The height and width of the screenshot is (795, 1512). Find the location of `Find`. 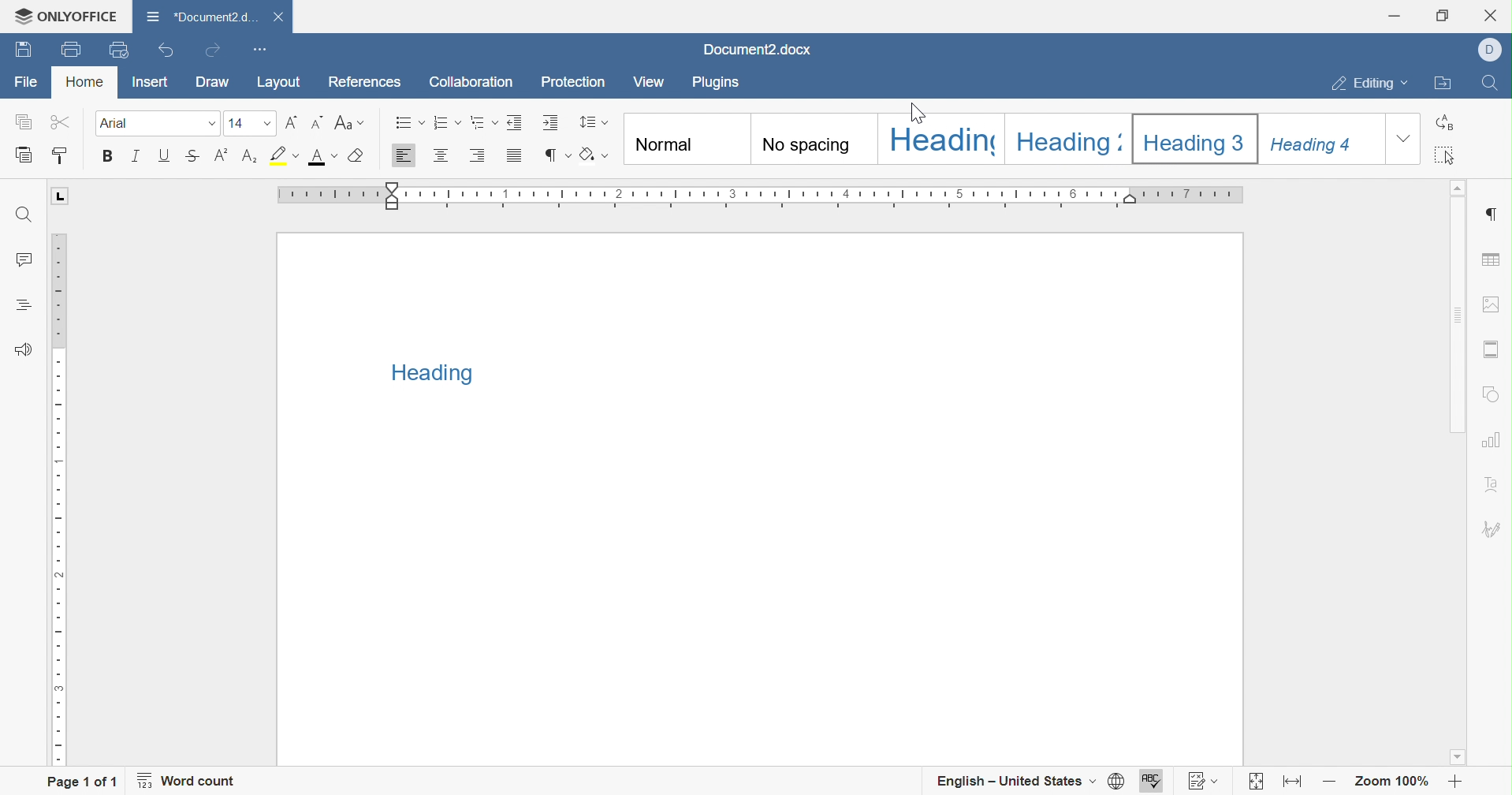

Find is located at coordinates (1493, 83).